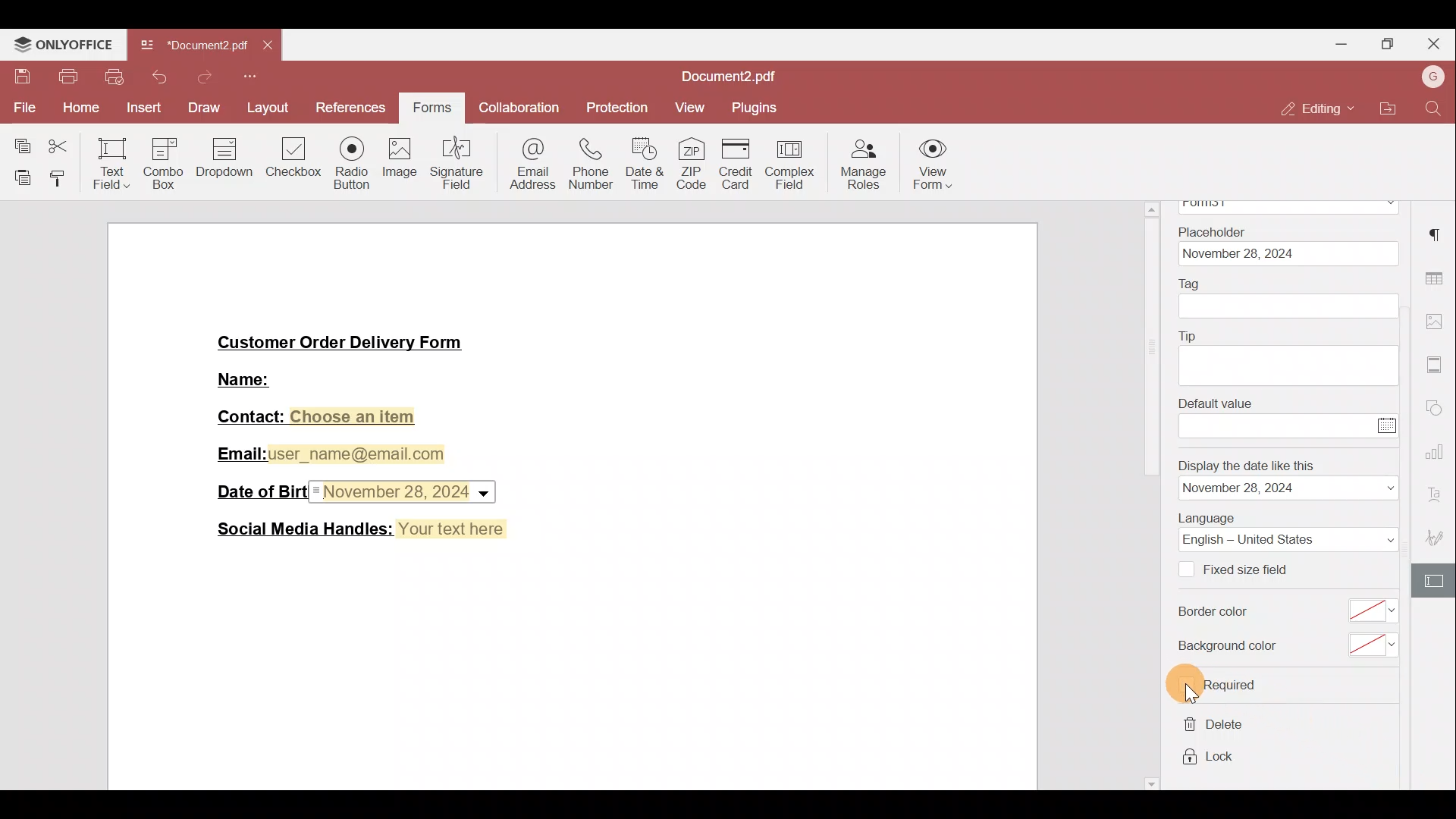 The width and height of the screenshot is (1456, 819). Describe the element at coordinates (695, 105) in the screenshot. I see `View` at that location.